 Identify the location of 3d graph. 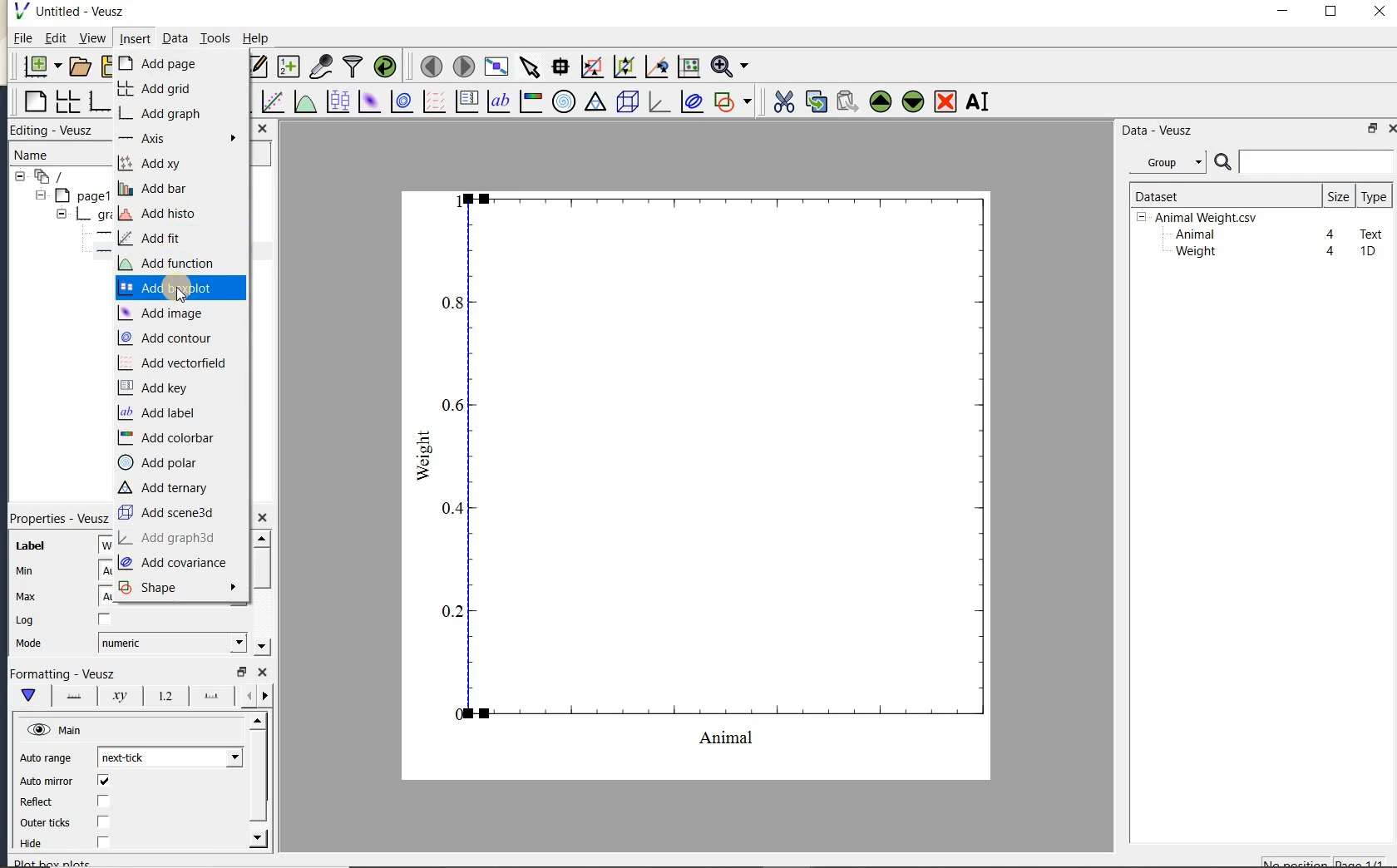
(657, 101).